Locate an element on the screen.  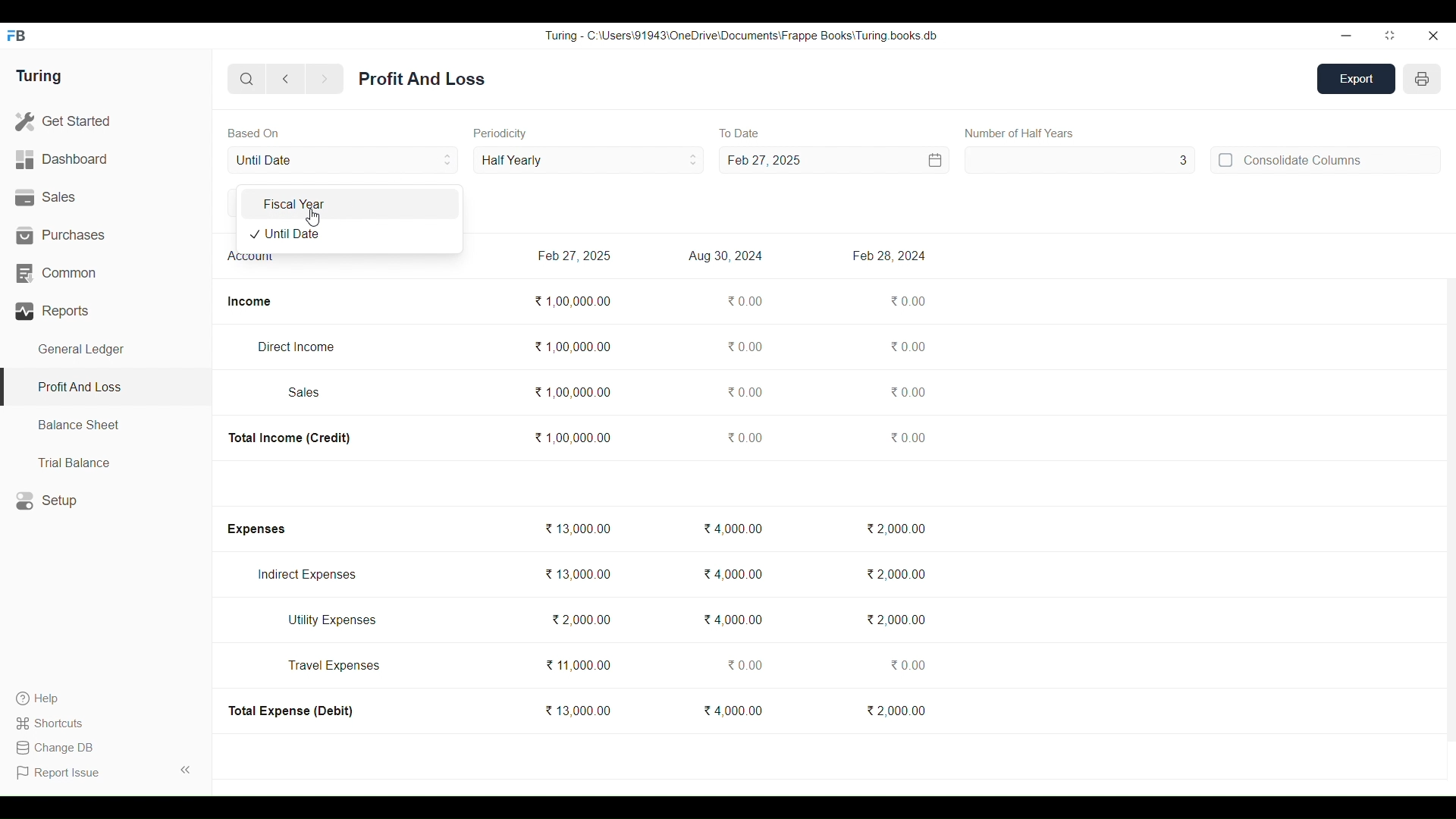
13,000.00 is located at coordinates (577, 710).